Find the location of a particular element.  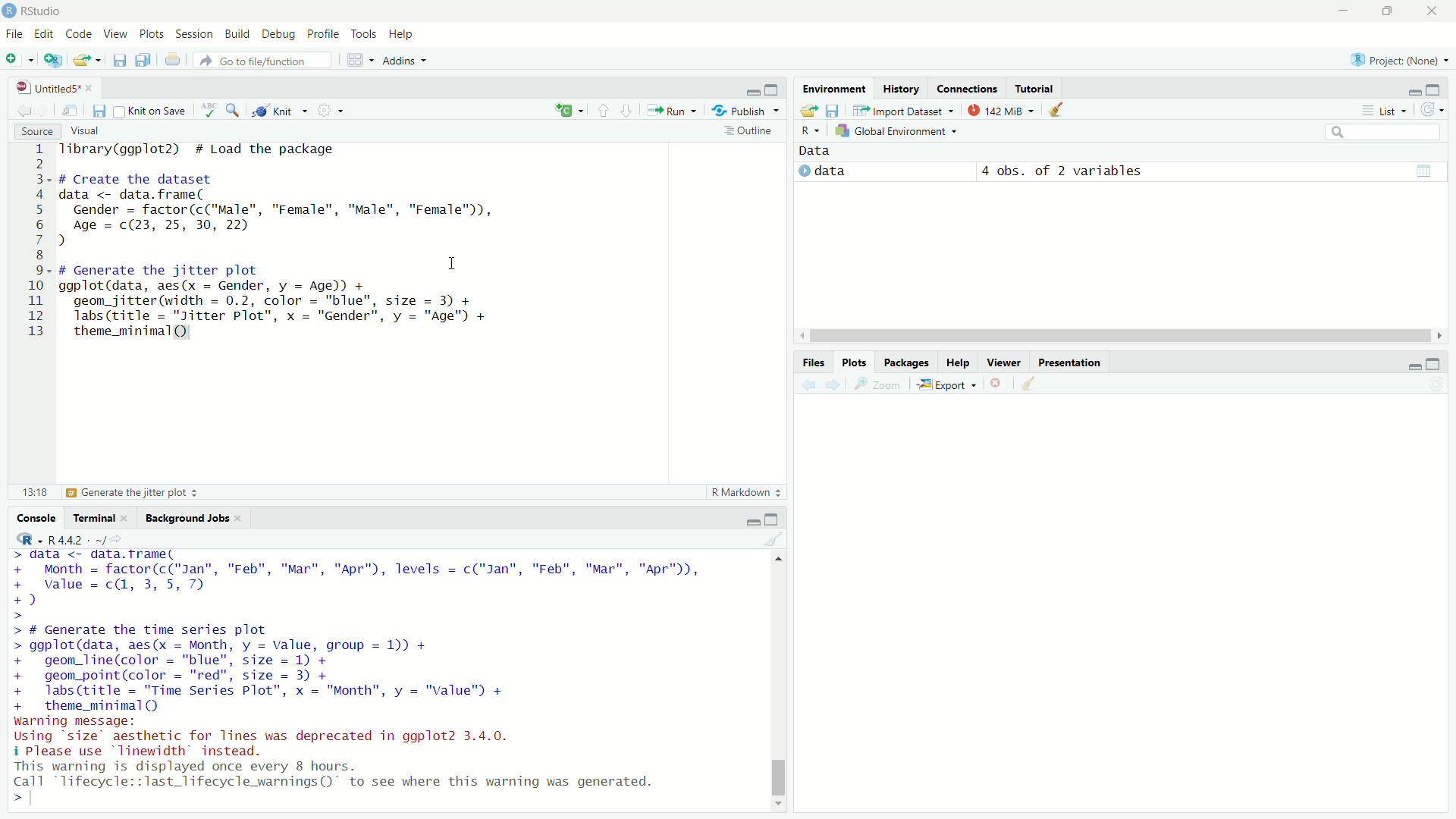

settings is located at coordinates (332, 111).